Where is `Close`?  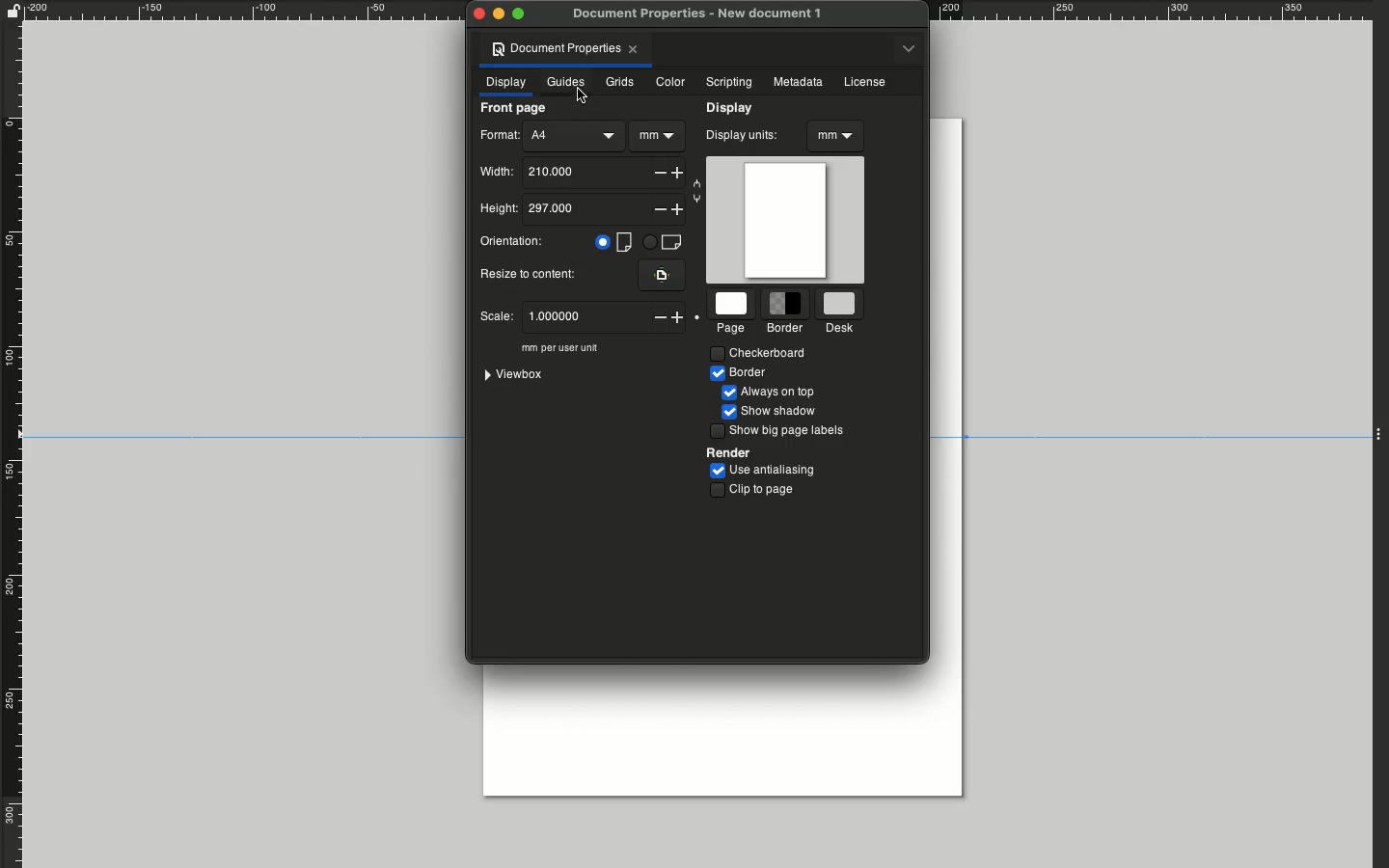
Close is located at coordinates (638, 49).